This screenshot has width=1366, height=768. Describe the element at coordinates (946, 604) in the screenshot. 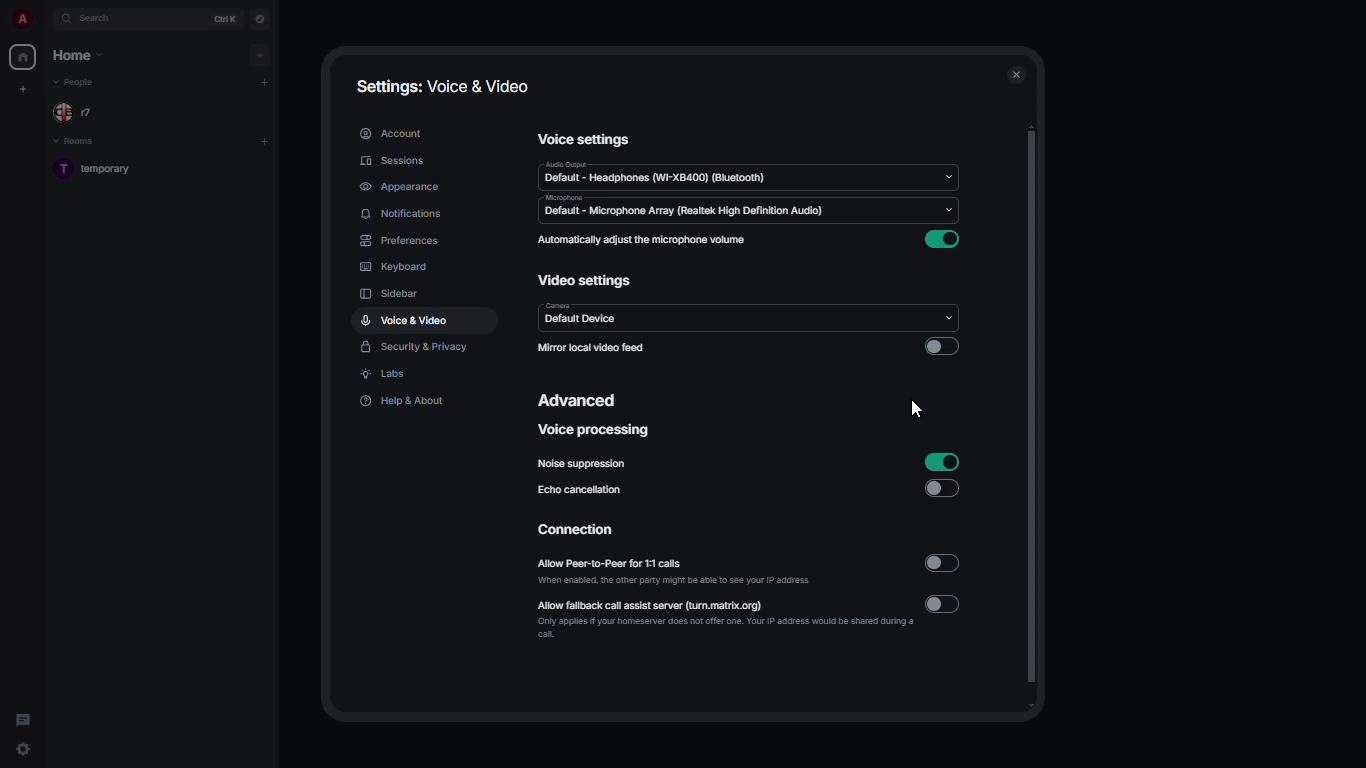

I see `disabled` at that location.